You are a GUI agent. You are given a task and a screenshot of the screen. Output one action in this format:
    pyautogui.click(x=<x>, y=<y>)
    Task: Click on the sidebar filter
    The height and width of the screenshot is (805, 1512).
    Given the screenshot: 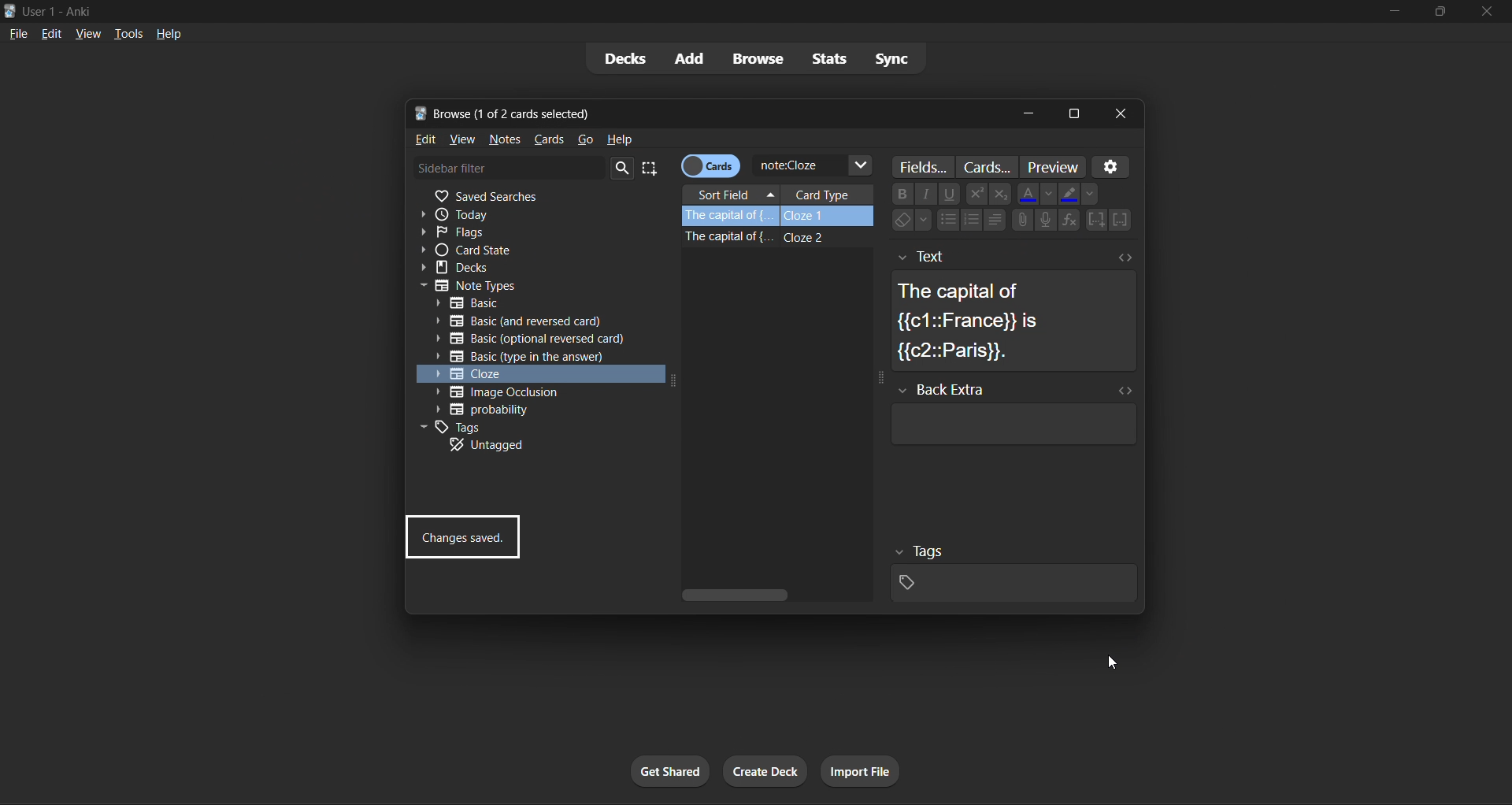 What is the action you would take?
    pyautogui.click(x=509, y=167)
    